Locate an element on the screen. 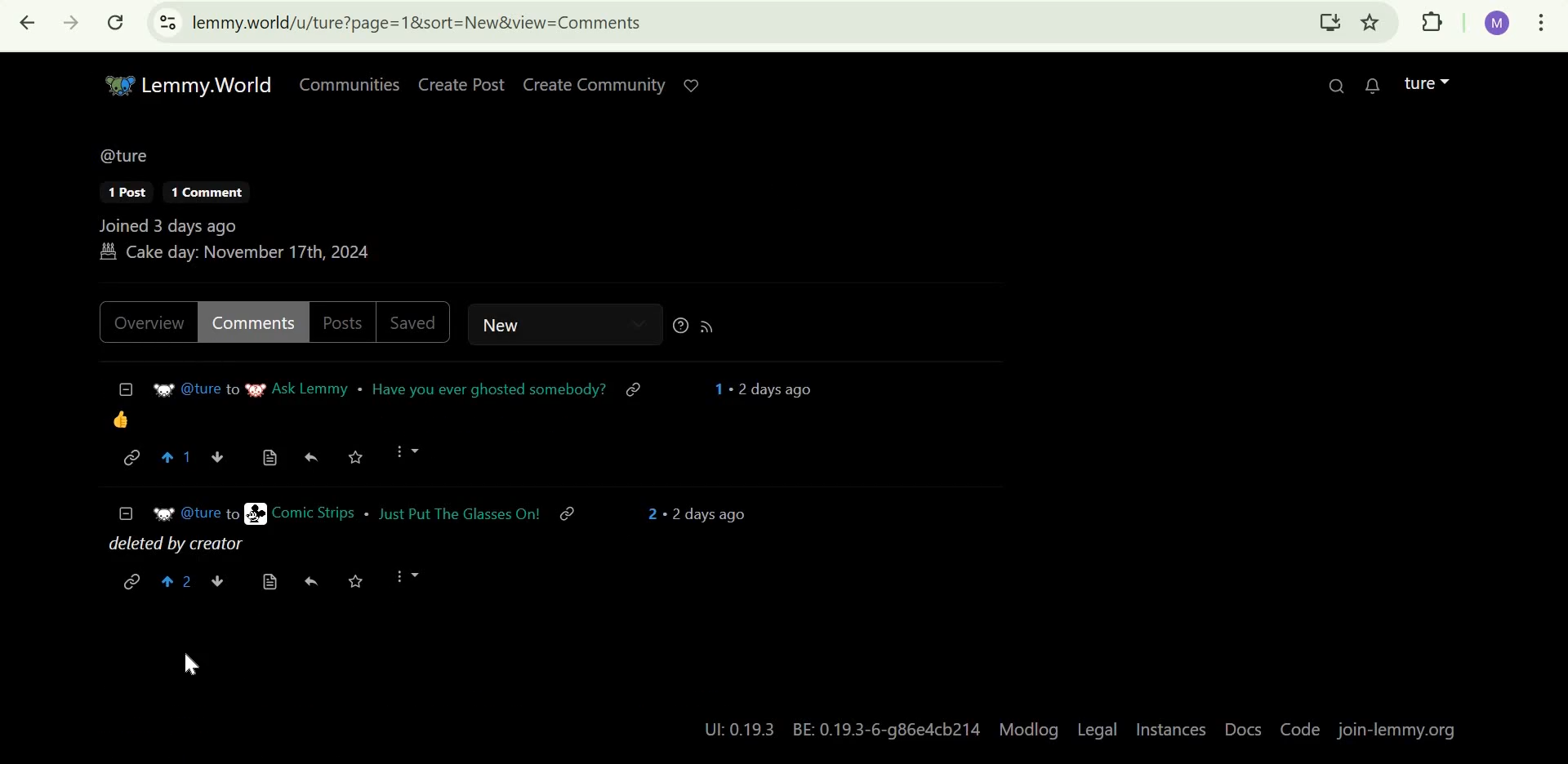 Image resolution: width=1568 pixels, height=764 pixels. community name is located at coordinates (296, 514).